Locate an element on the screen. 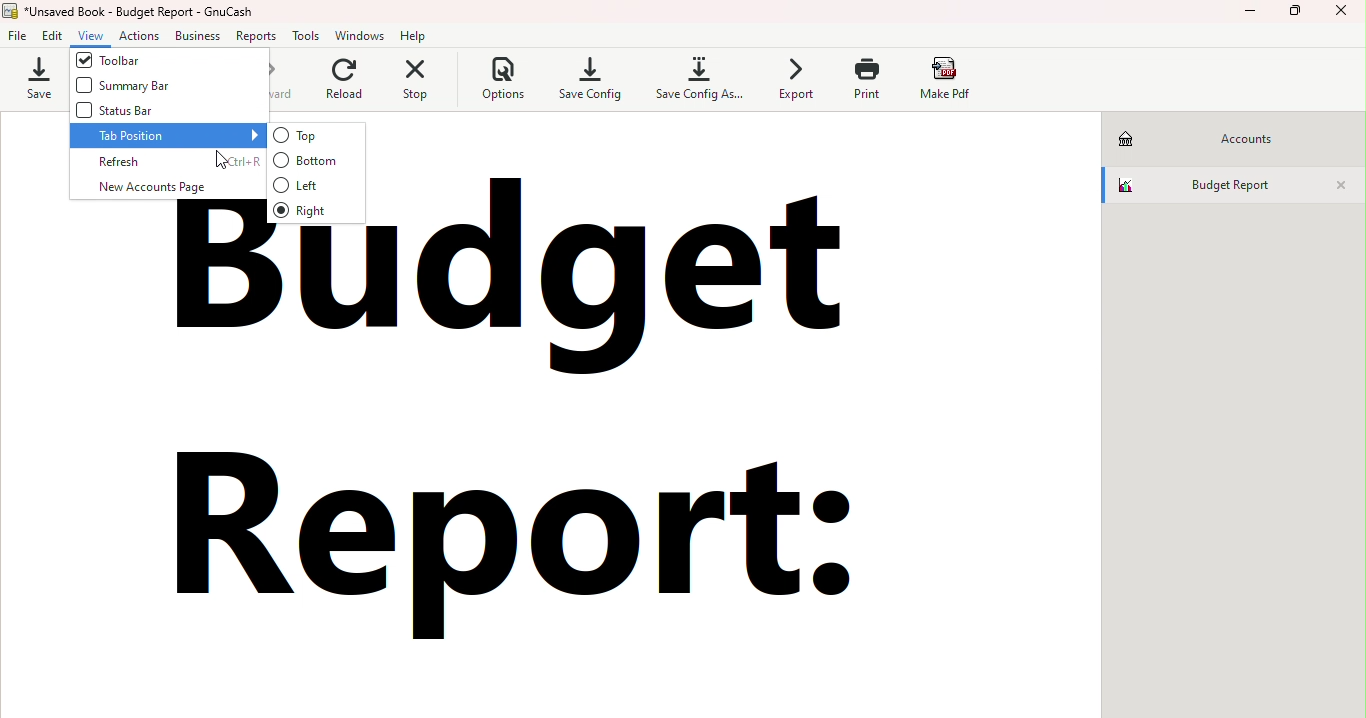  Budget report is located at coordinates (1211, 184).